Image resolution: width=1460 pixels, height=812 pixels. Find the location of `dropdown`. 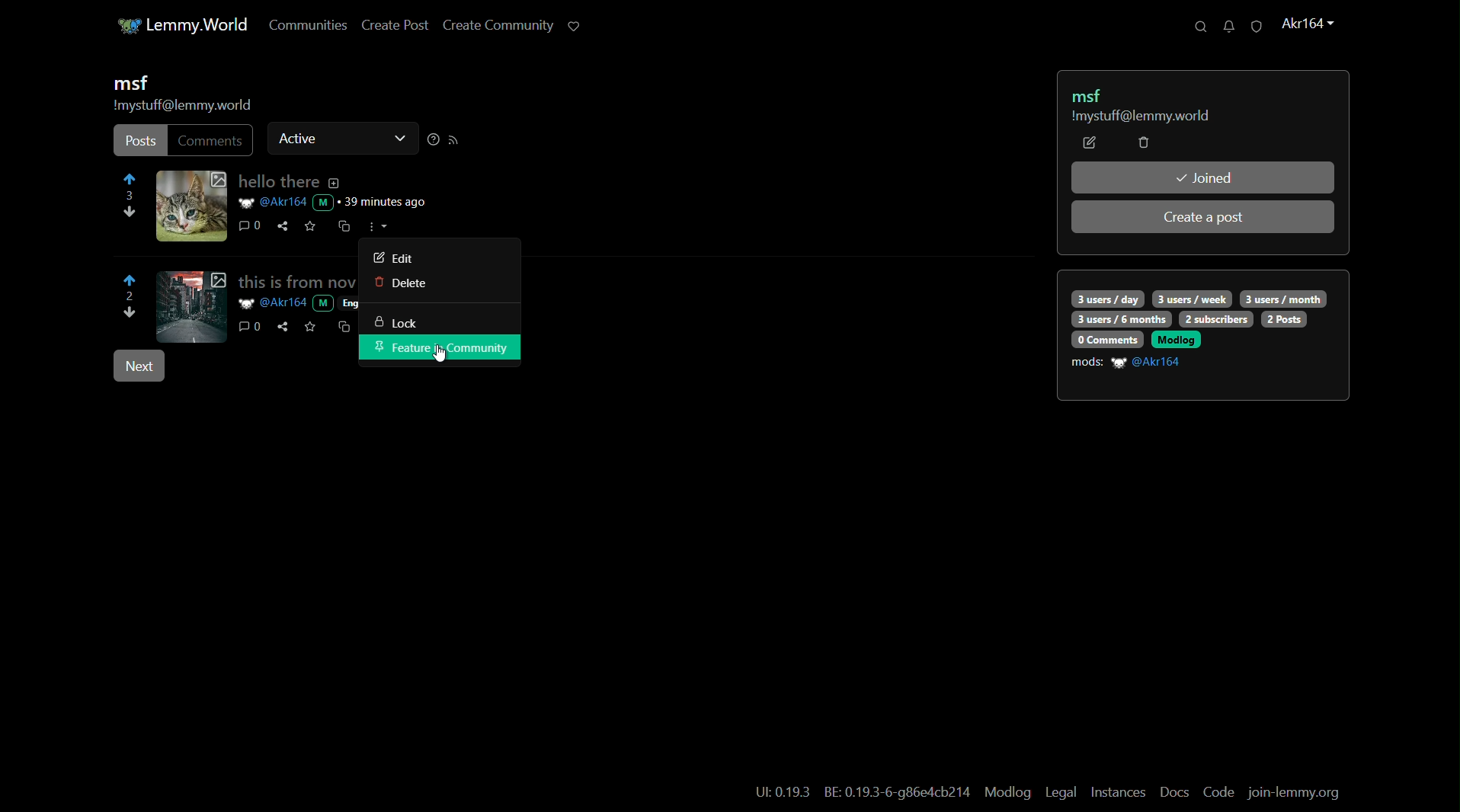

dropdown is located at coordinates (398, 140).